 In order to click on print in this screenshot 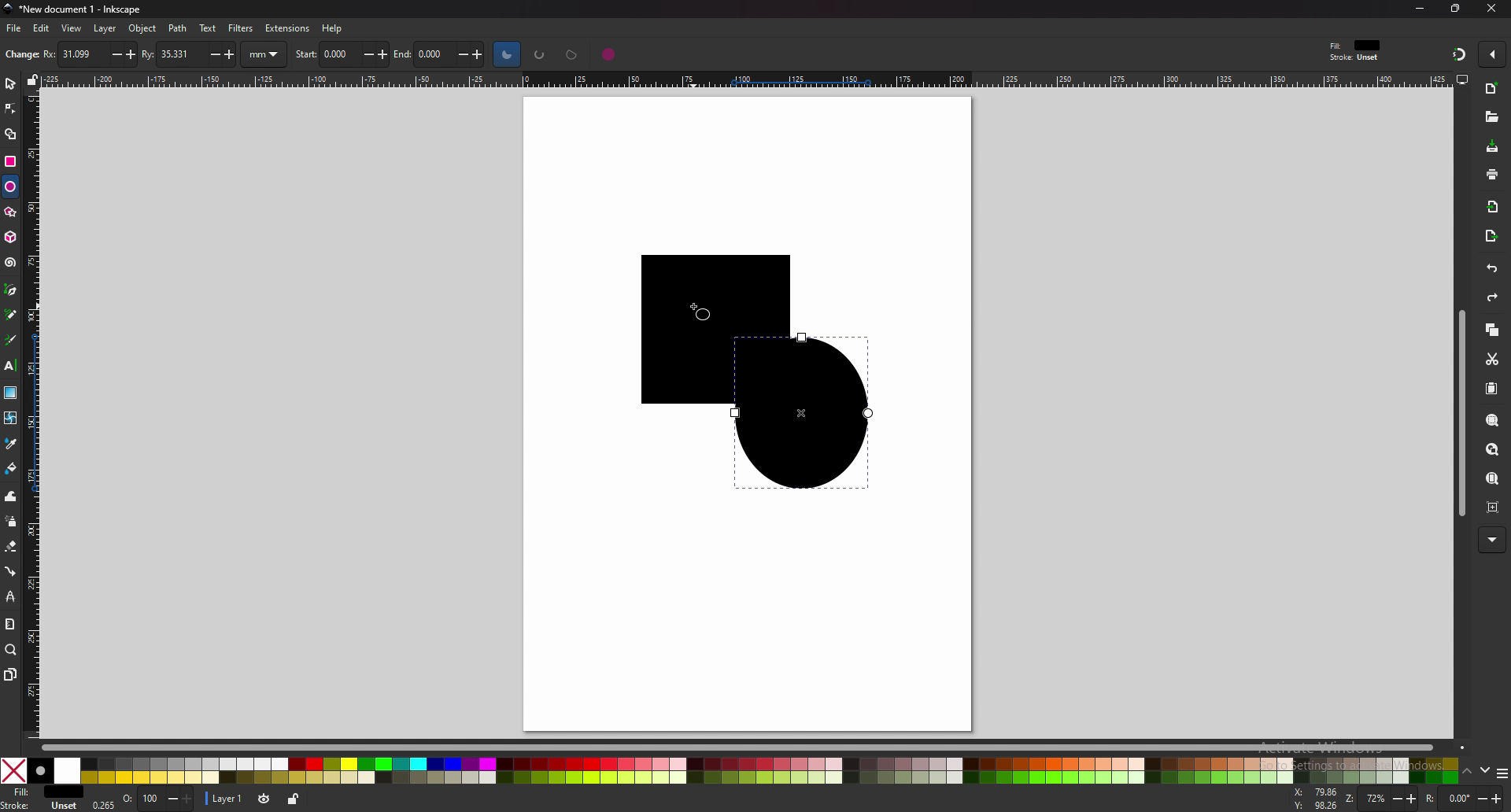, I will do `click(1491, 174)`.